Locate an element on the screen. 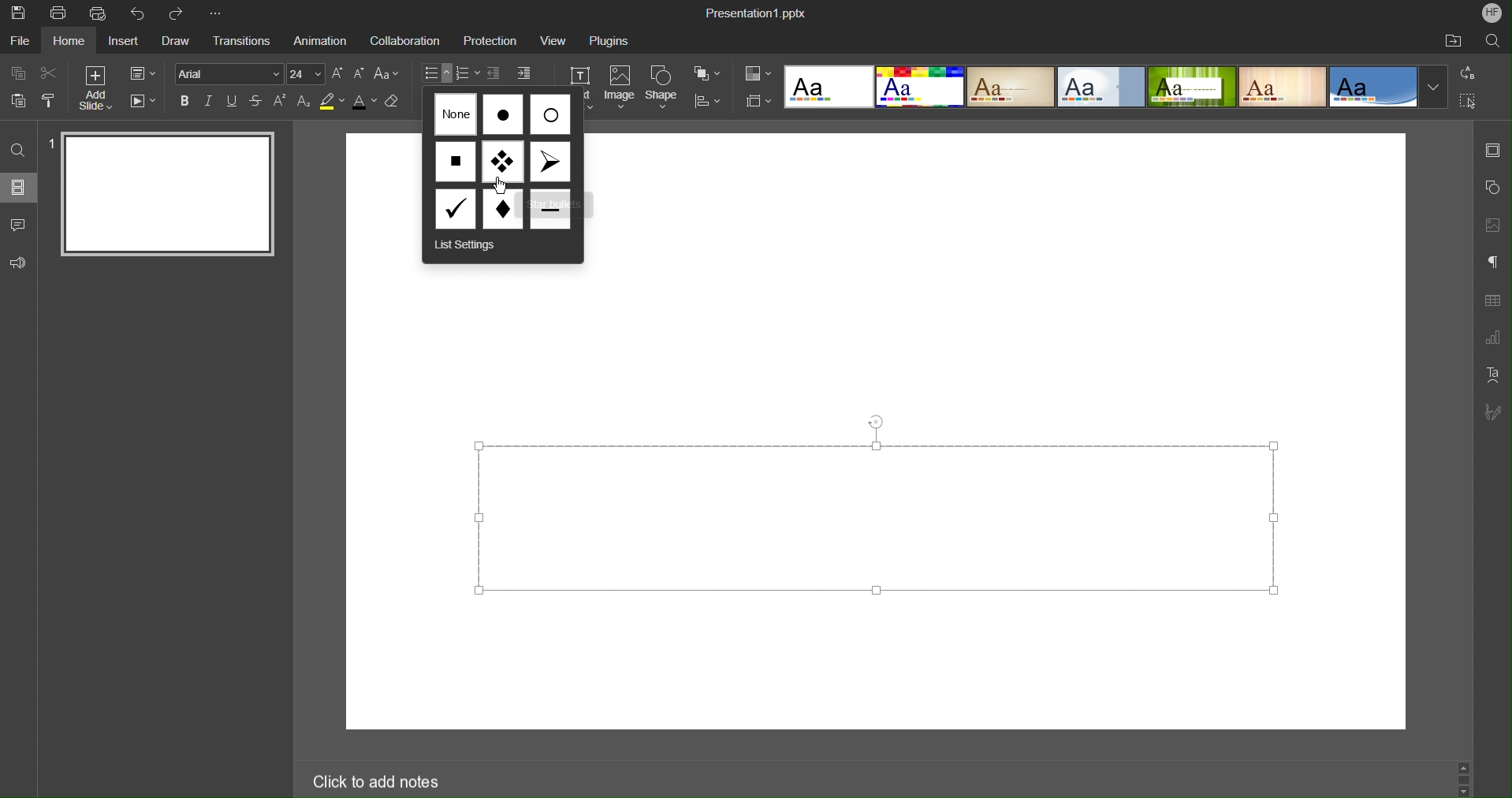 This screenshot has width=1512, height=798. Template is located at coordinates (826, 88).